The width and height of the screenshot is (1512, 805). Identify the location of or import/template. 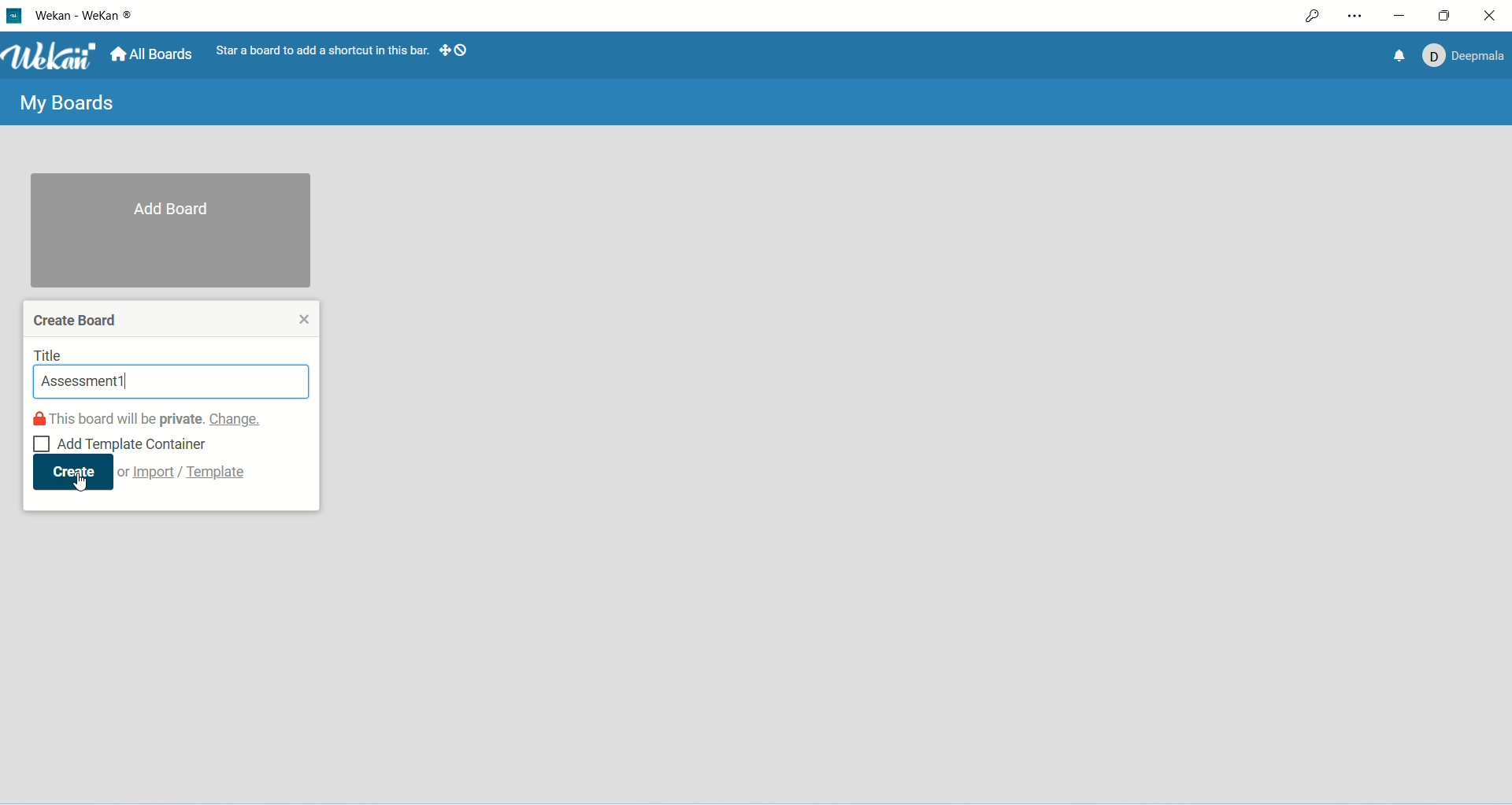
(183, 472).